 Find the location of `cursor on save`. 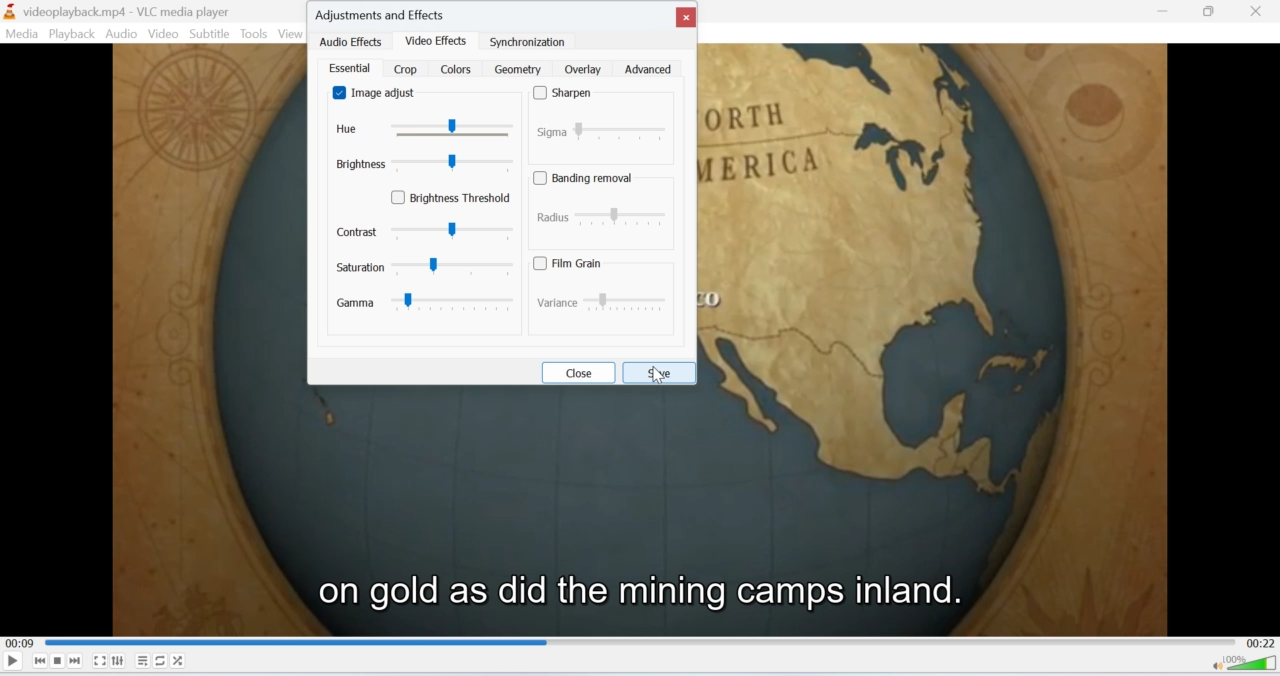

cursor on save is located at coordinates (667, 380).